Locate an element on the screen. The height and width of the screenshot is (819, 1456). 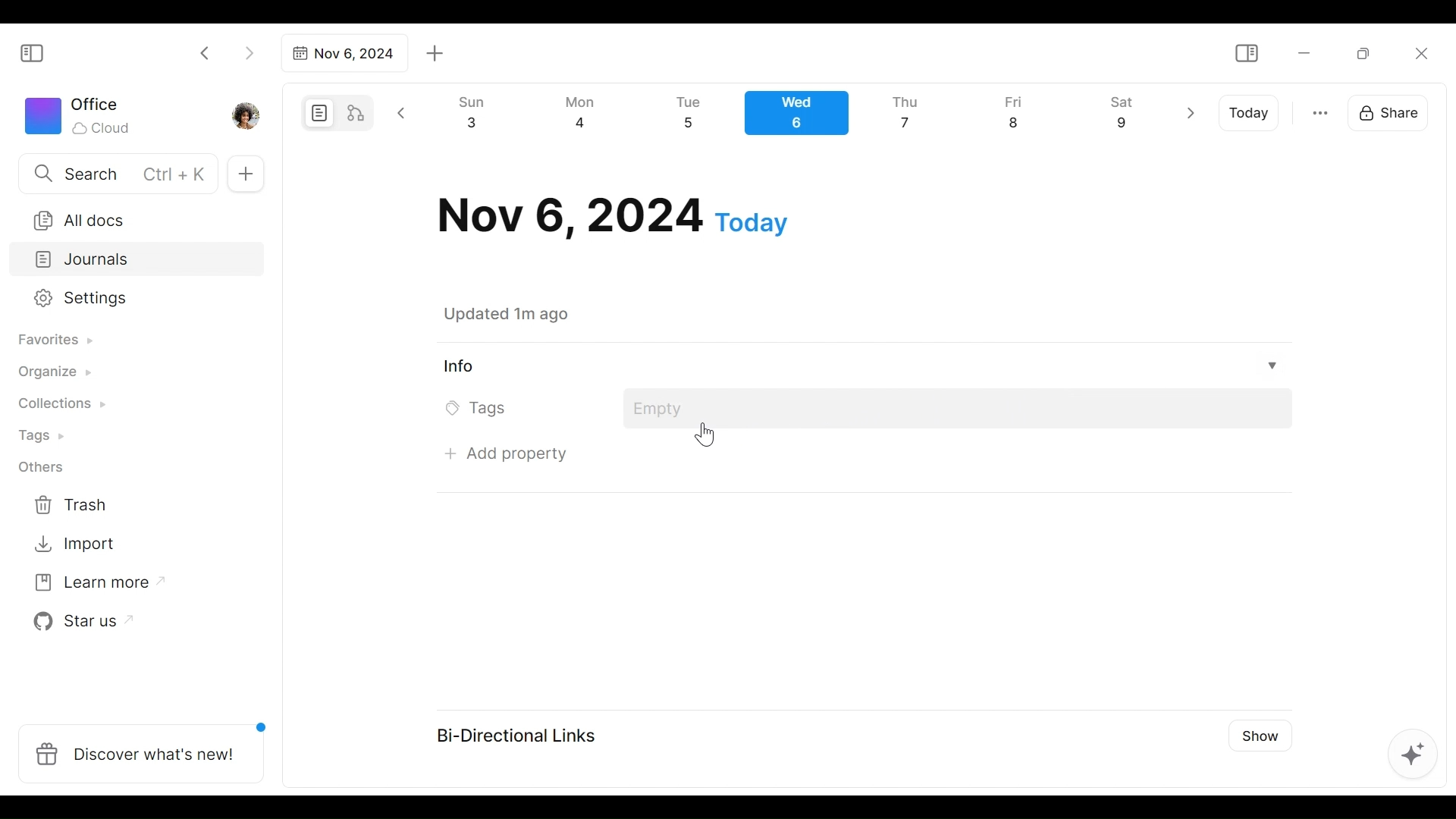
Tab is located at coordinates (342, 53).